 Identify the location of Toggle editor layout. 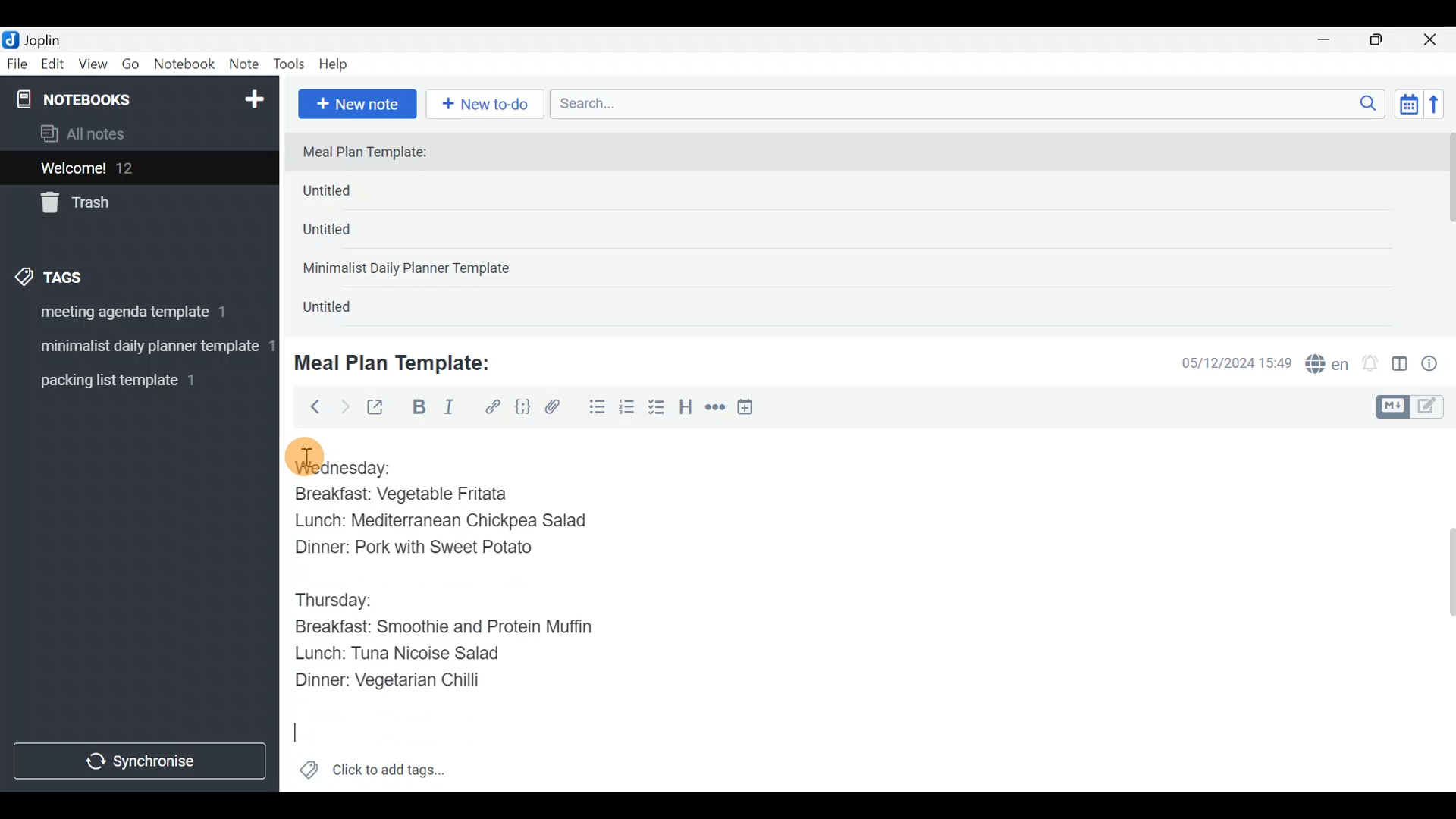
(1401, 366).